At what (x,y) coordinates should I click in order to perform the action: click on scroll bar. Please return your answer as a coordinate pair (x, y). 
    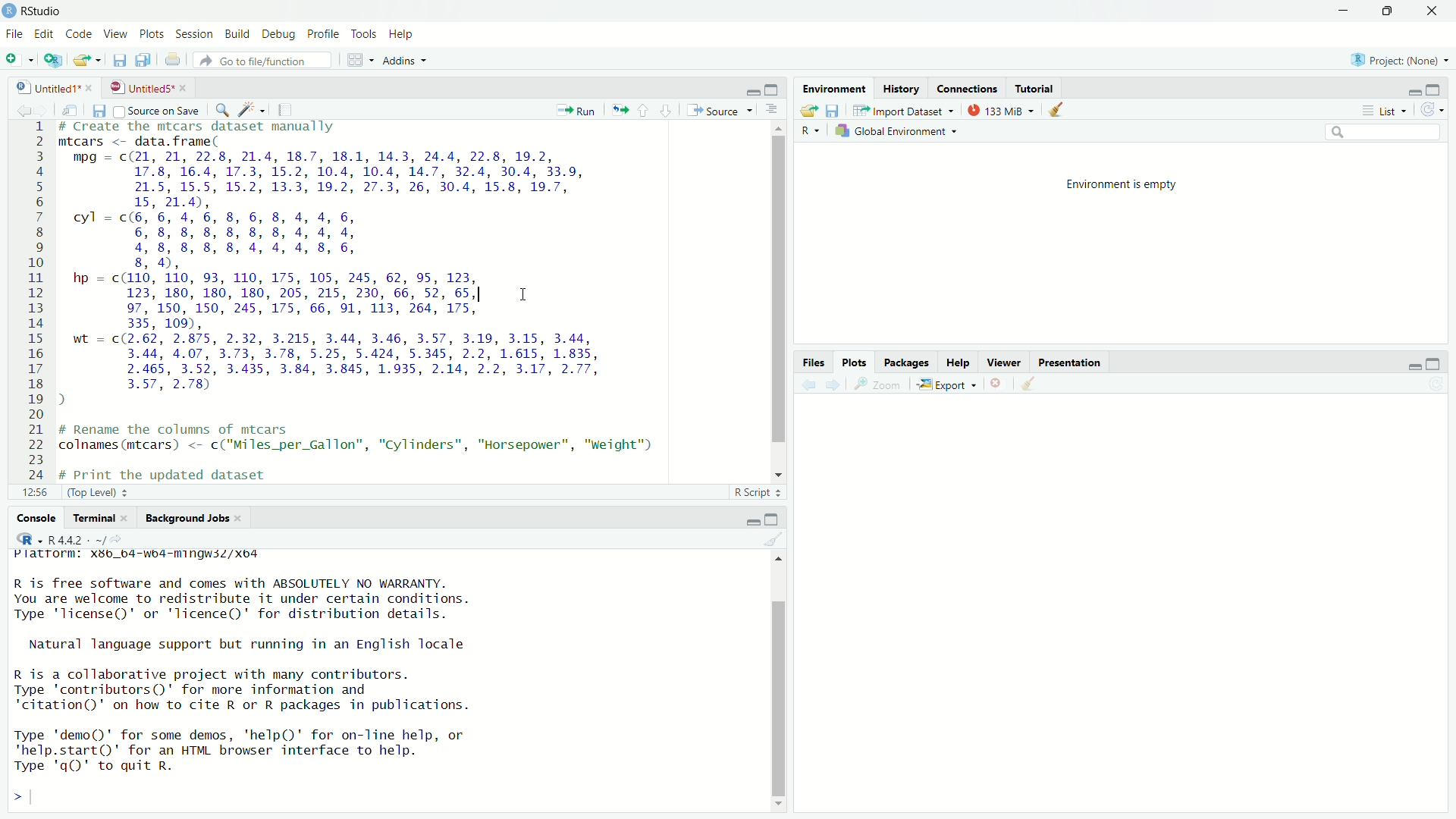
    Looking at the image, I should click on (770, 300).